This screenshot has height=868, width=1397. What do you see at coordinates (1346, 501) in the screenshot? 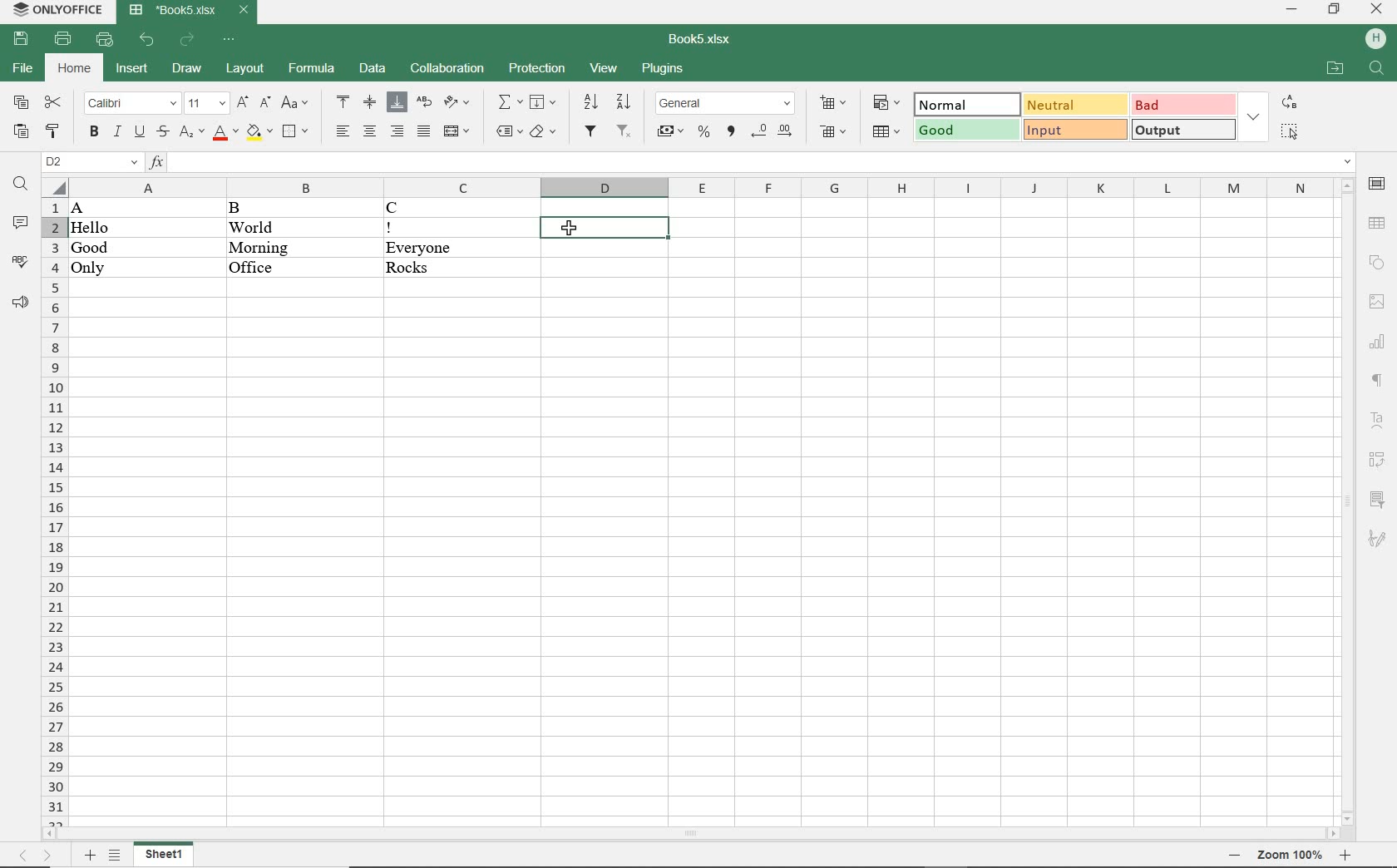
I see `SCROLLBAR` at bounding box center [1346, 501].